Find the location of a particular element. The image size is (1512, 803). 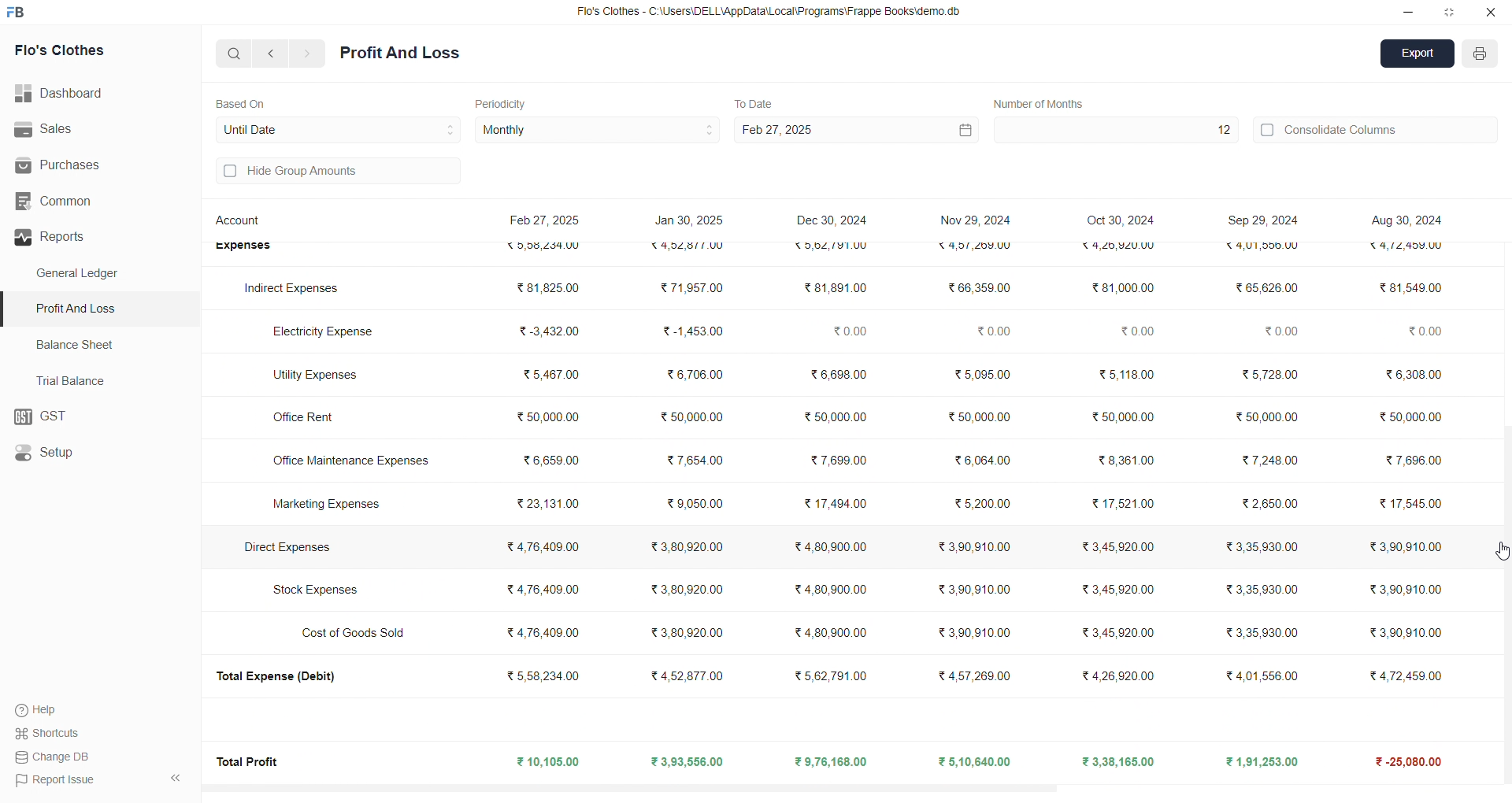

₹9,76,168.00 is located at coordinates (836, 762).